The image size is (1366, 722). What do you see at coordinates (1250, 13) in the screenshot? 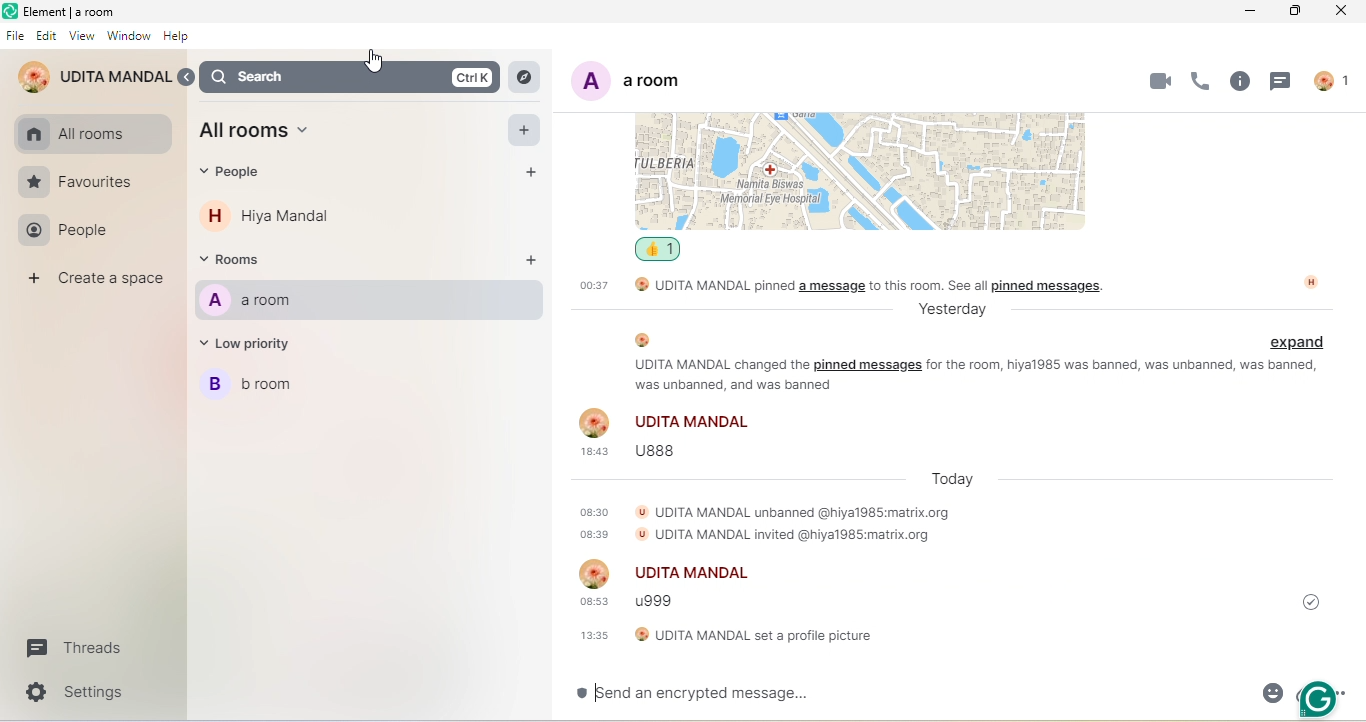
I see `Minimize` at bounding box center [1250, 13].